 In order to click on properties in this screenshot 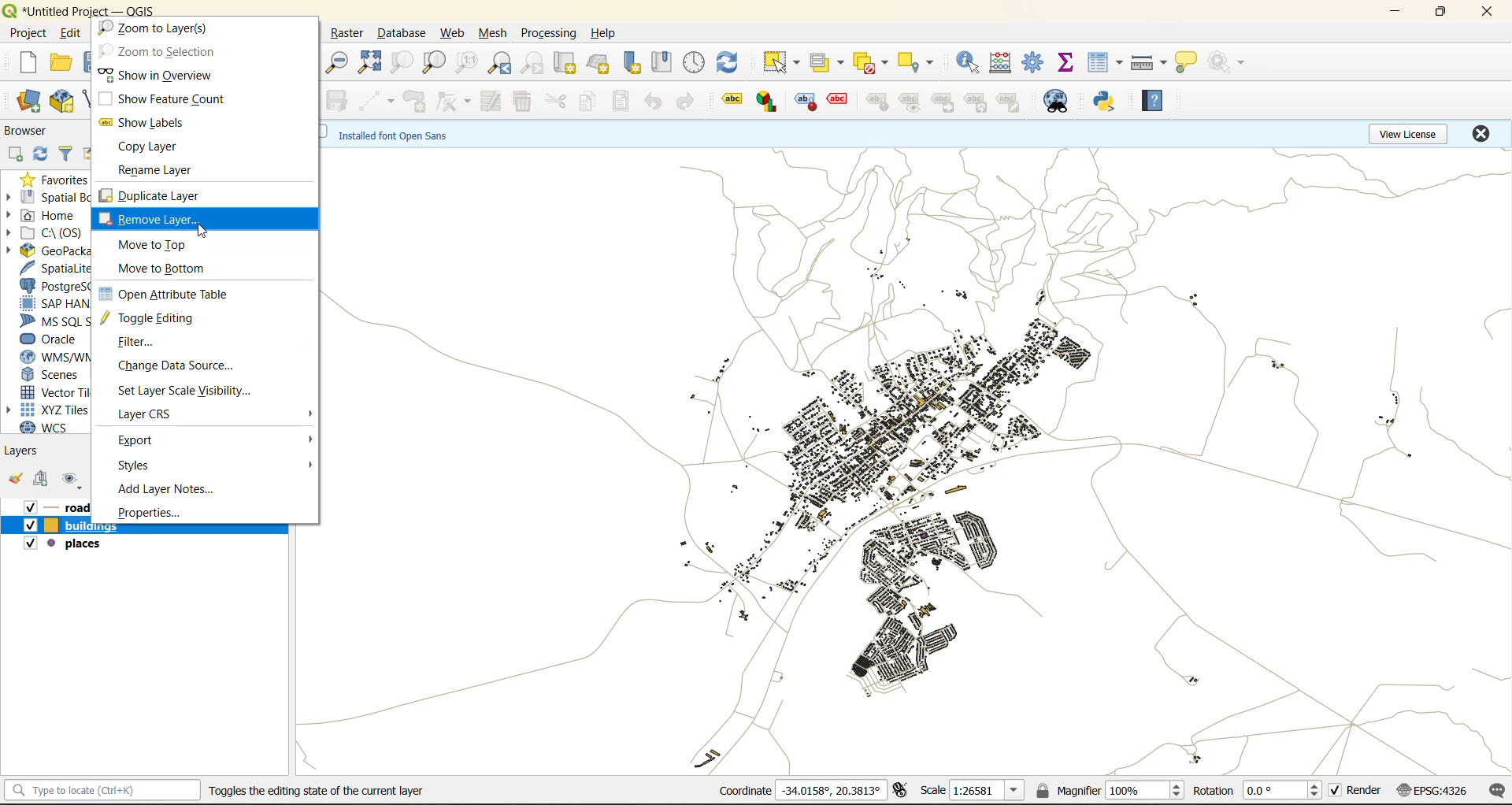, I will do `click(151, 513)`.